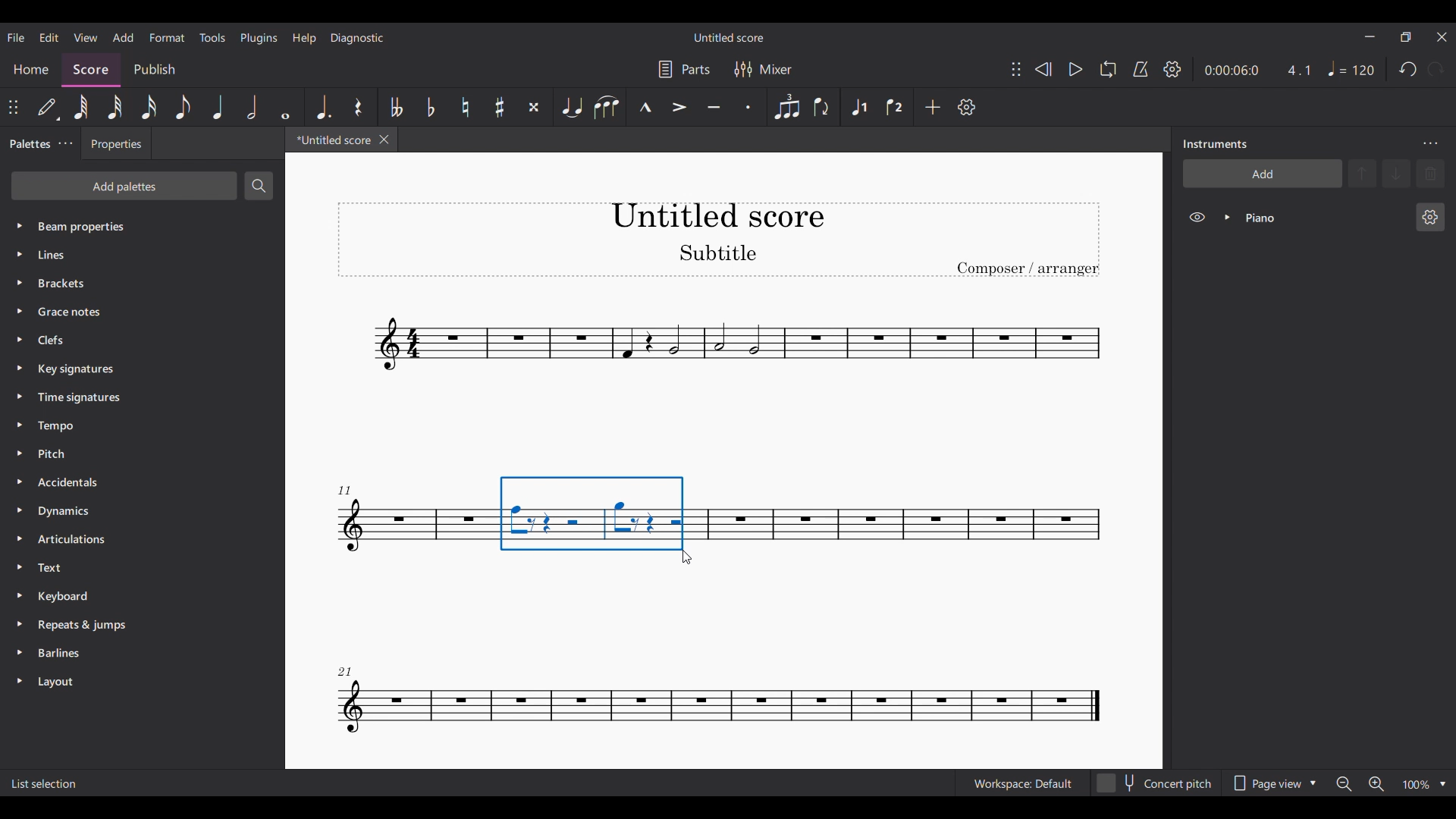 This screenshot has width=1456, height=819. What do you see at coordinates (718, 240) in the screenshot?
I see `Score title, sub-title and composer / arranger` at bounding box center [718, 240].